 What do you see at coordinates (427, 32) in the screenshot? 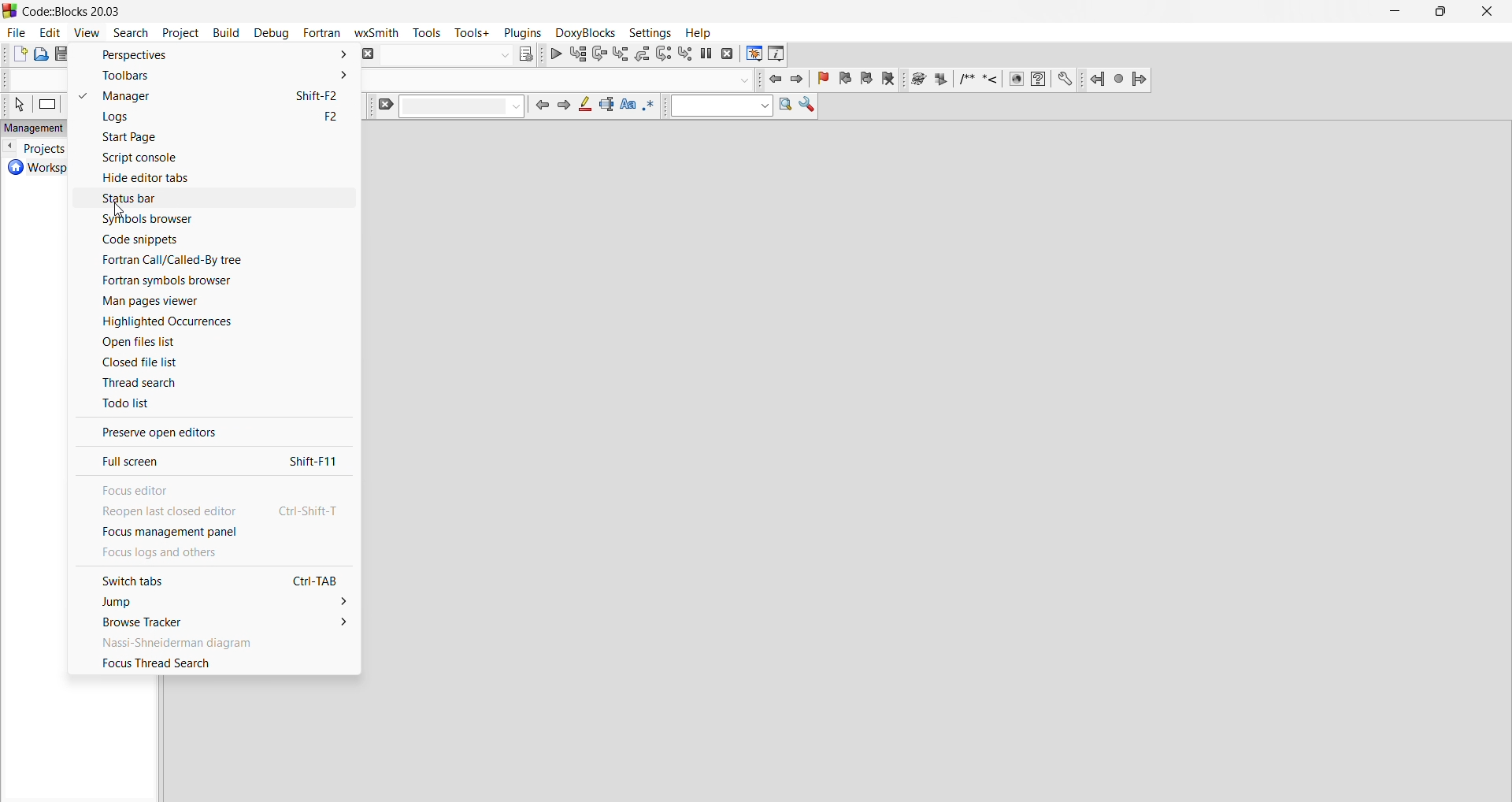
I see `tools` at bounding box center [427, 32].